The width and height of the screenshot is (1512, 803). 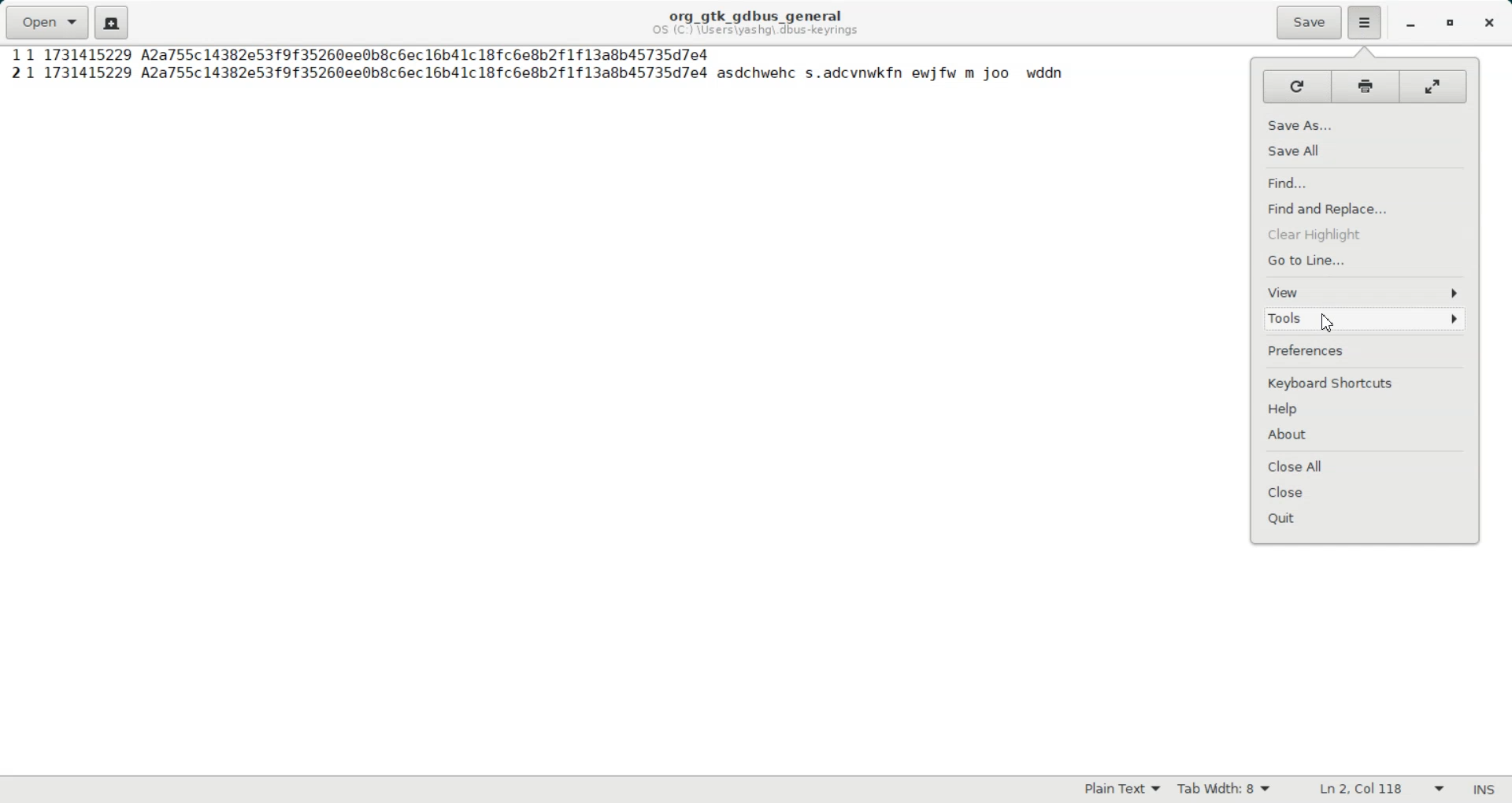 I want to click on Save, so click(x=1308, y=23).